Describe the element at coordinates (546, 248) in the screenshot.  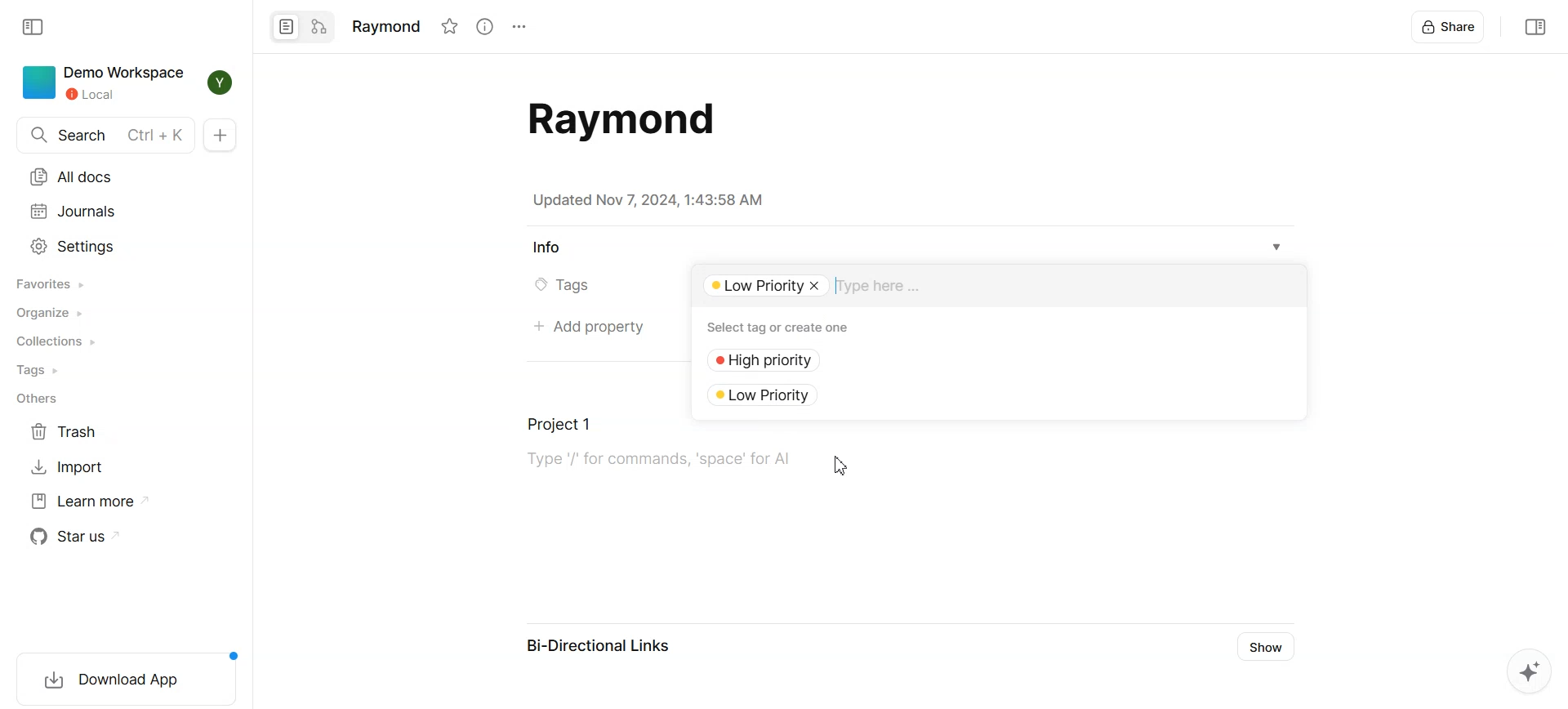
I see `Info` at that location.